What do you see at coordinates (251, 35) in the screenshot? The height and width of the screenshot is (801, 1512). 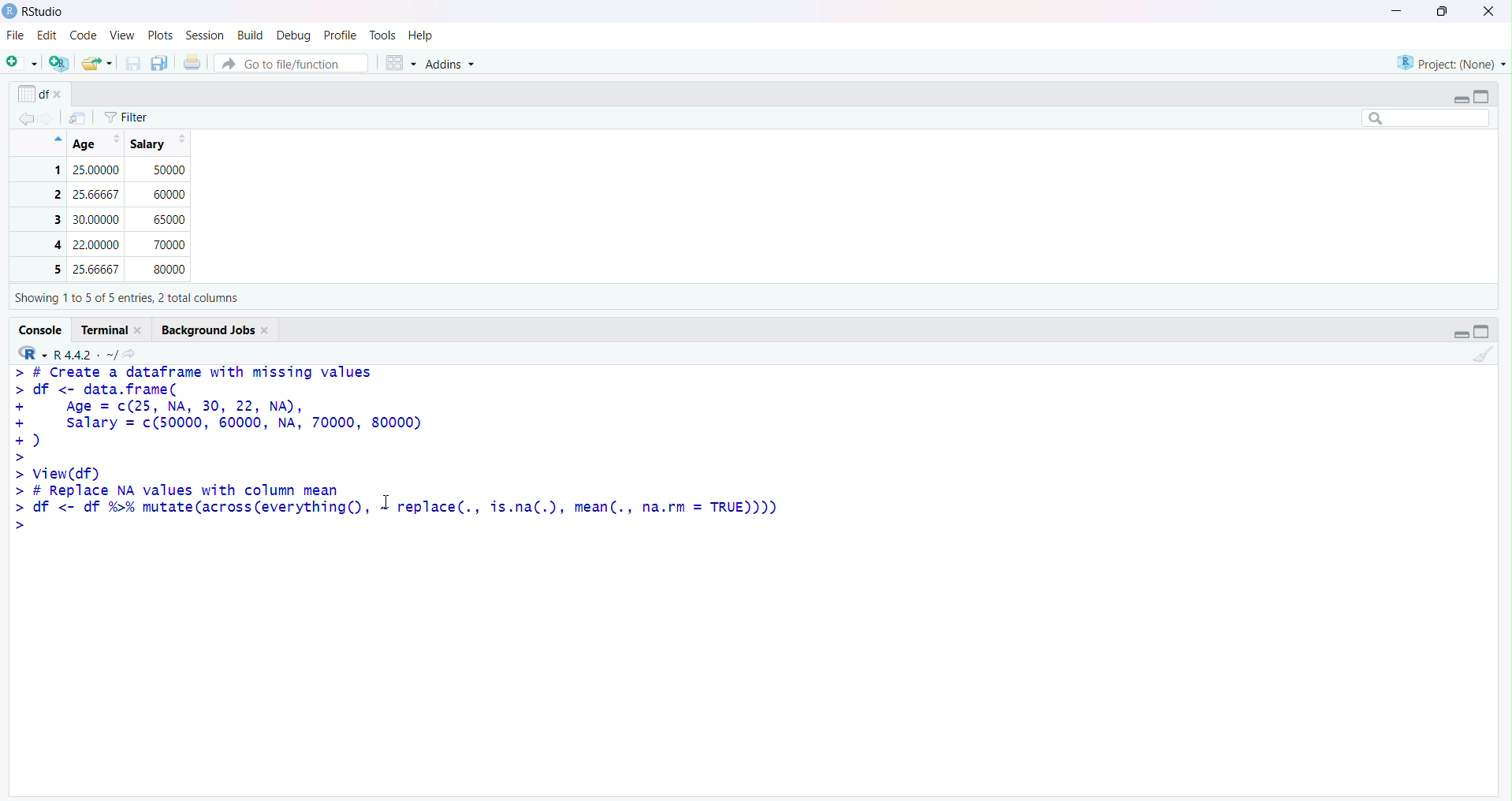 I see `Build` at bounding box center [251, 35].